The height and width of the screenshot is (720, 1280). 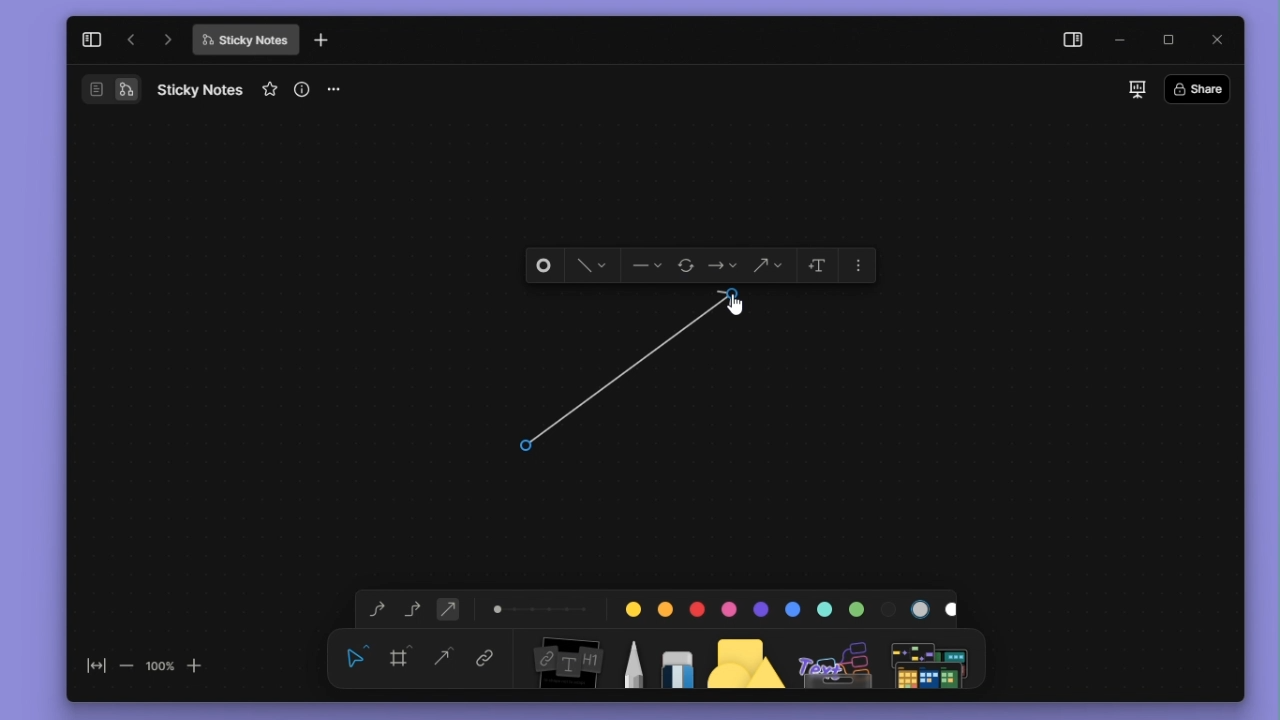 I want to click on more, so click(x=341, y=90).